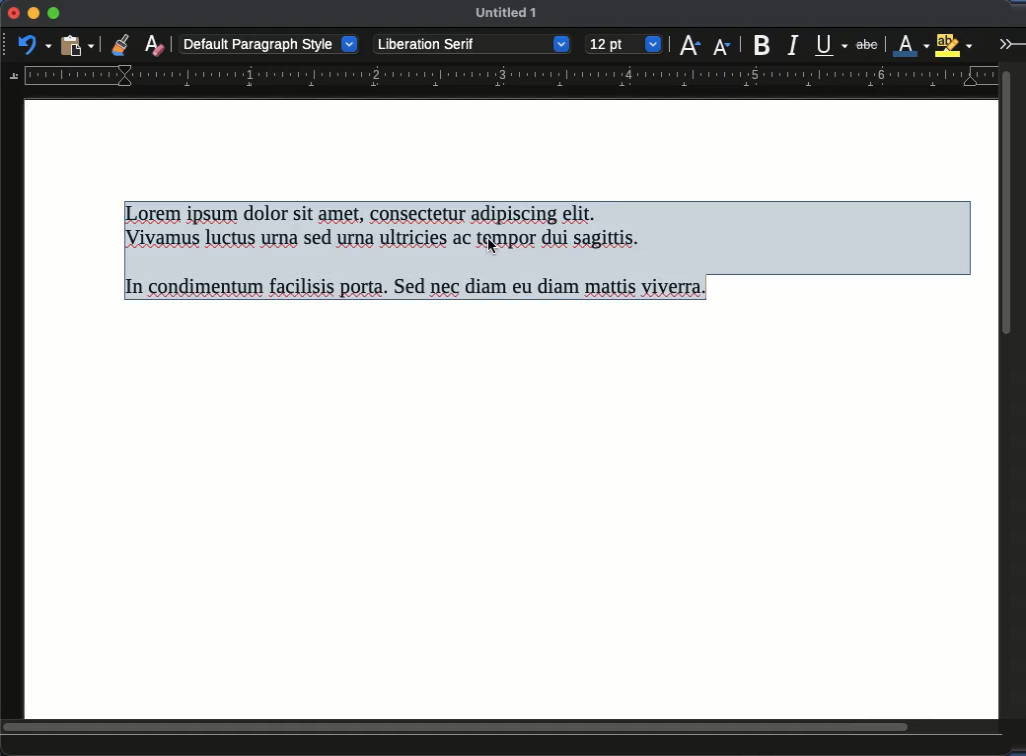 The width and height of the screenshot is (1026, 756). I want to click on default paragraph style, so click(270, 43).